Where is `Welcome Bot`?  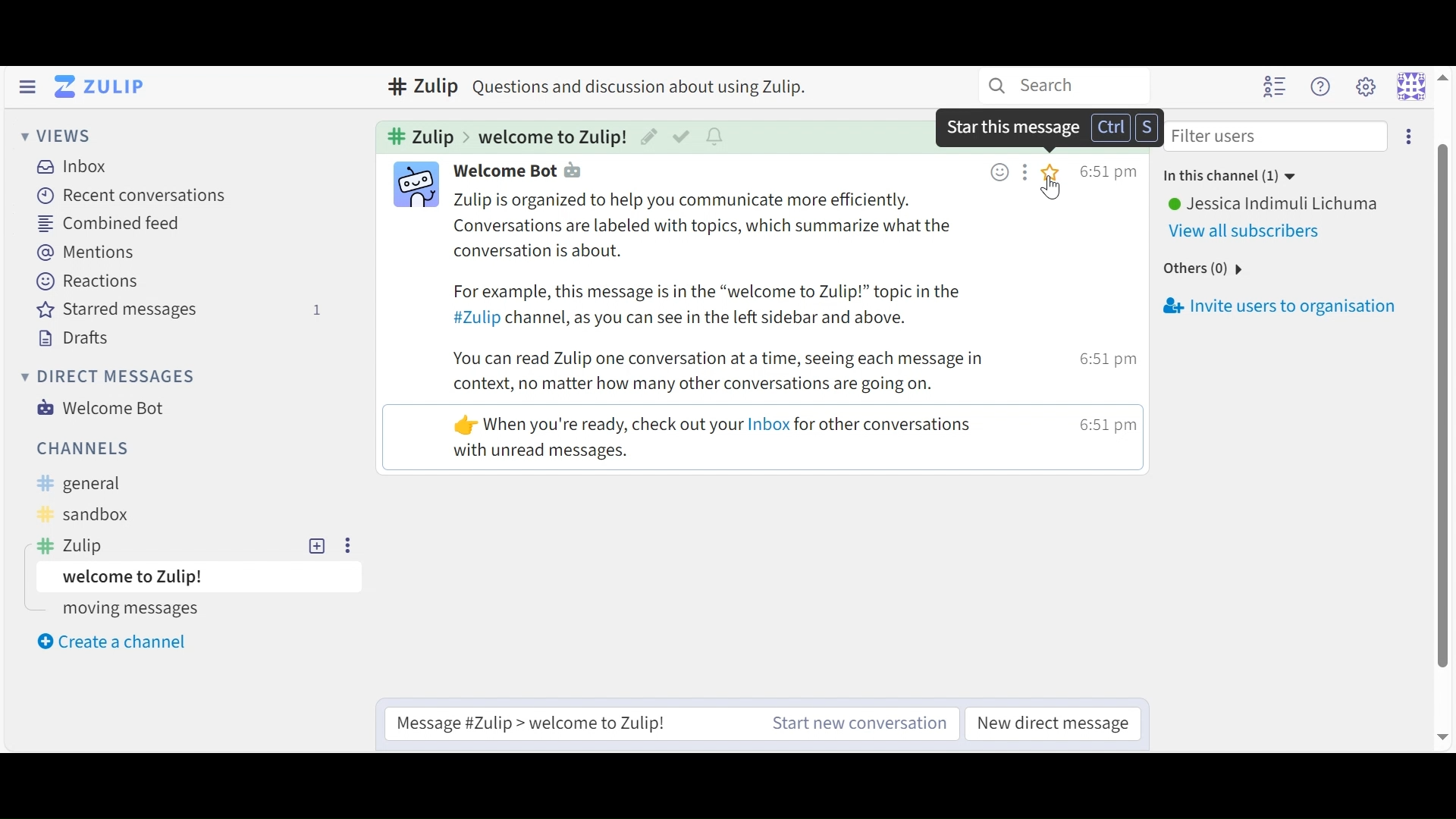 Welcome Bot is located at coordinates (101, 409).